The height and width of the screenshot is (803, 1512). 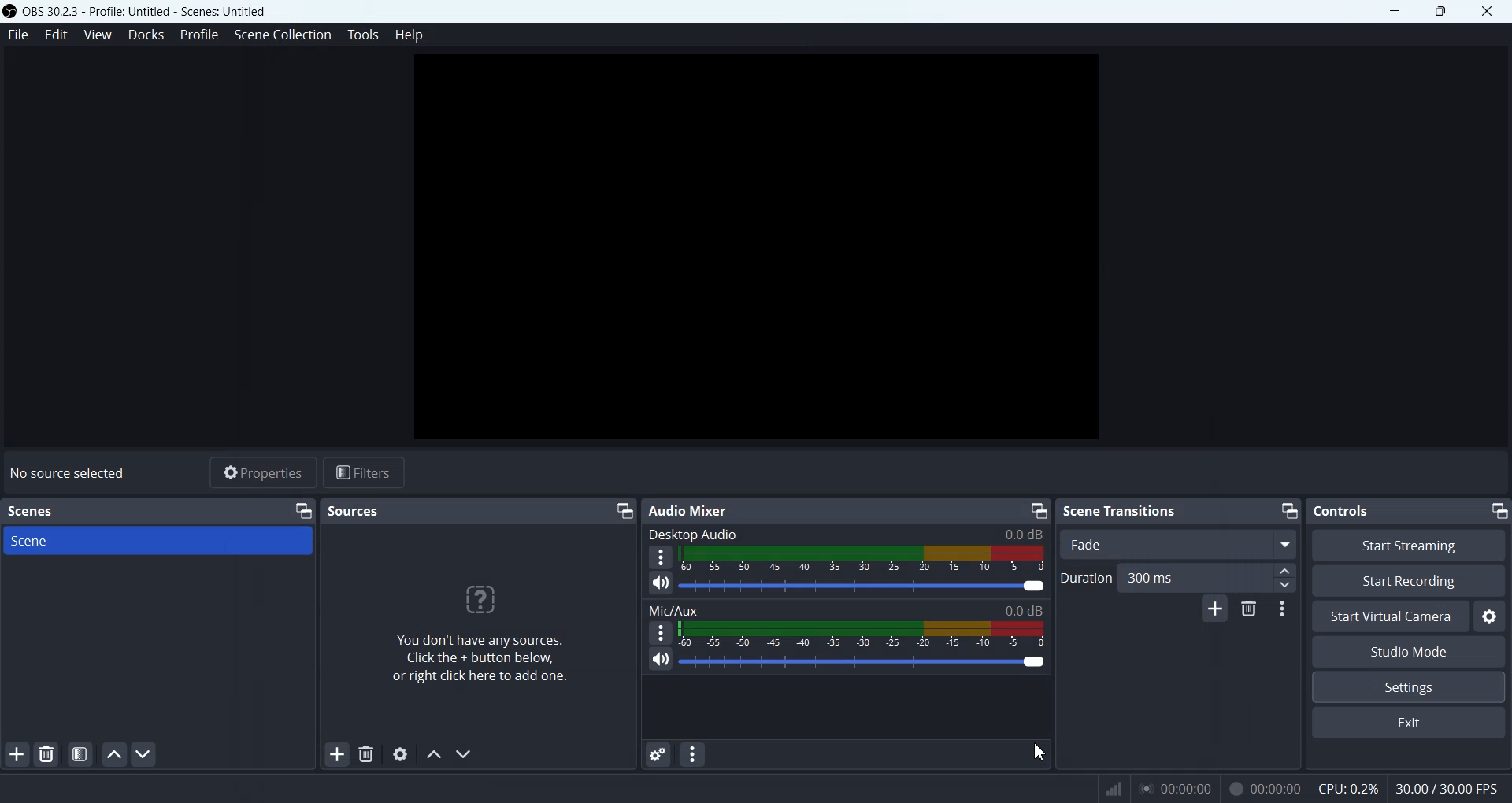 What do you see at coordinates (659, 631) in the screenshot?
I see `More` at bounding box center [659, 631].